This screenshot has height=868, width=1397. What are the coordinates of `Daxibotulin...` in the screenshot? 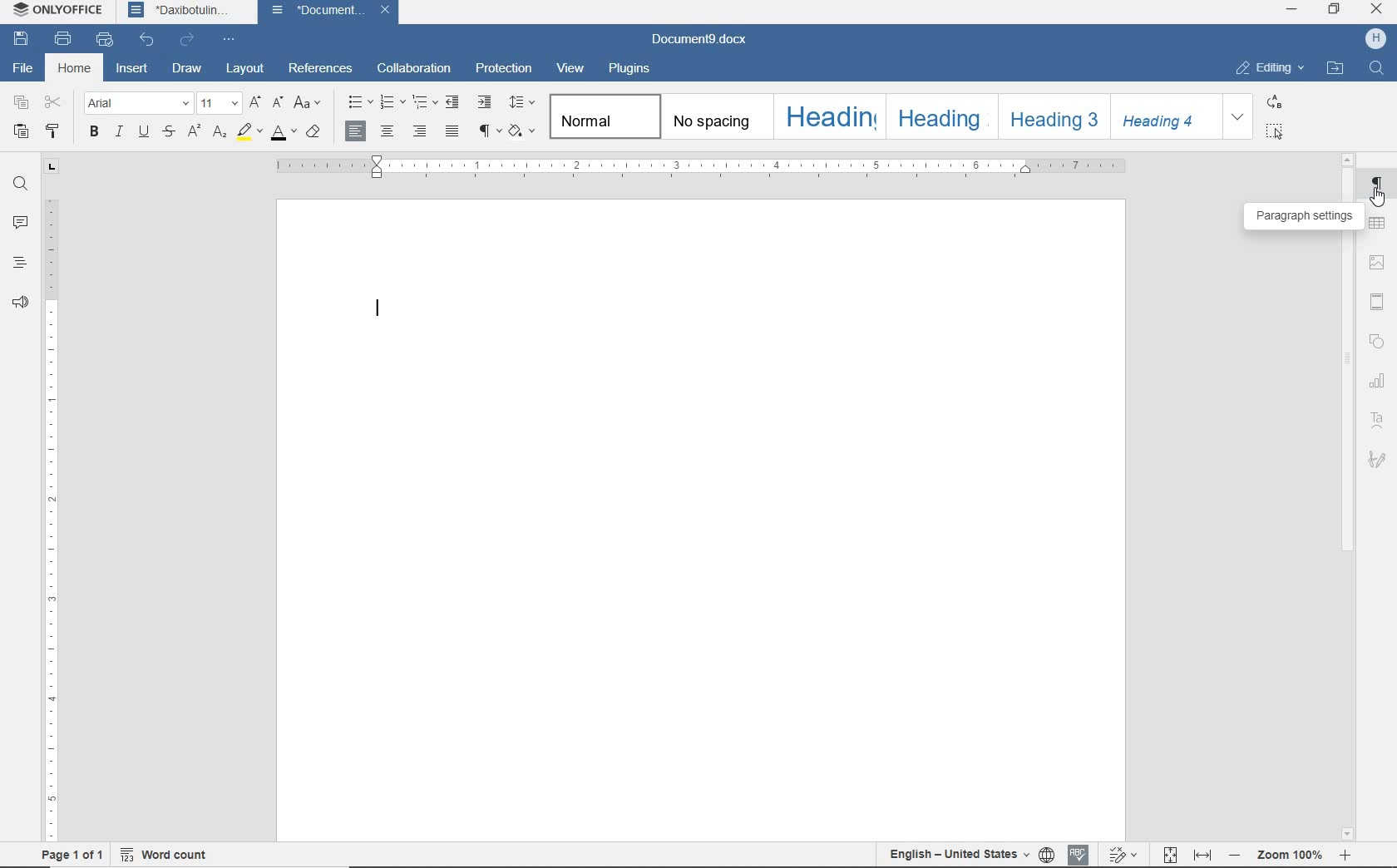 It's located at (188, 11).